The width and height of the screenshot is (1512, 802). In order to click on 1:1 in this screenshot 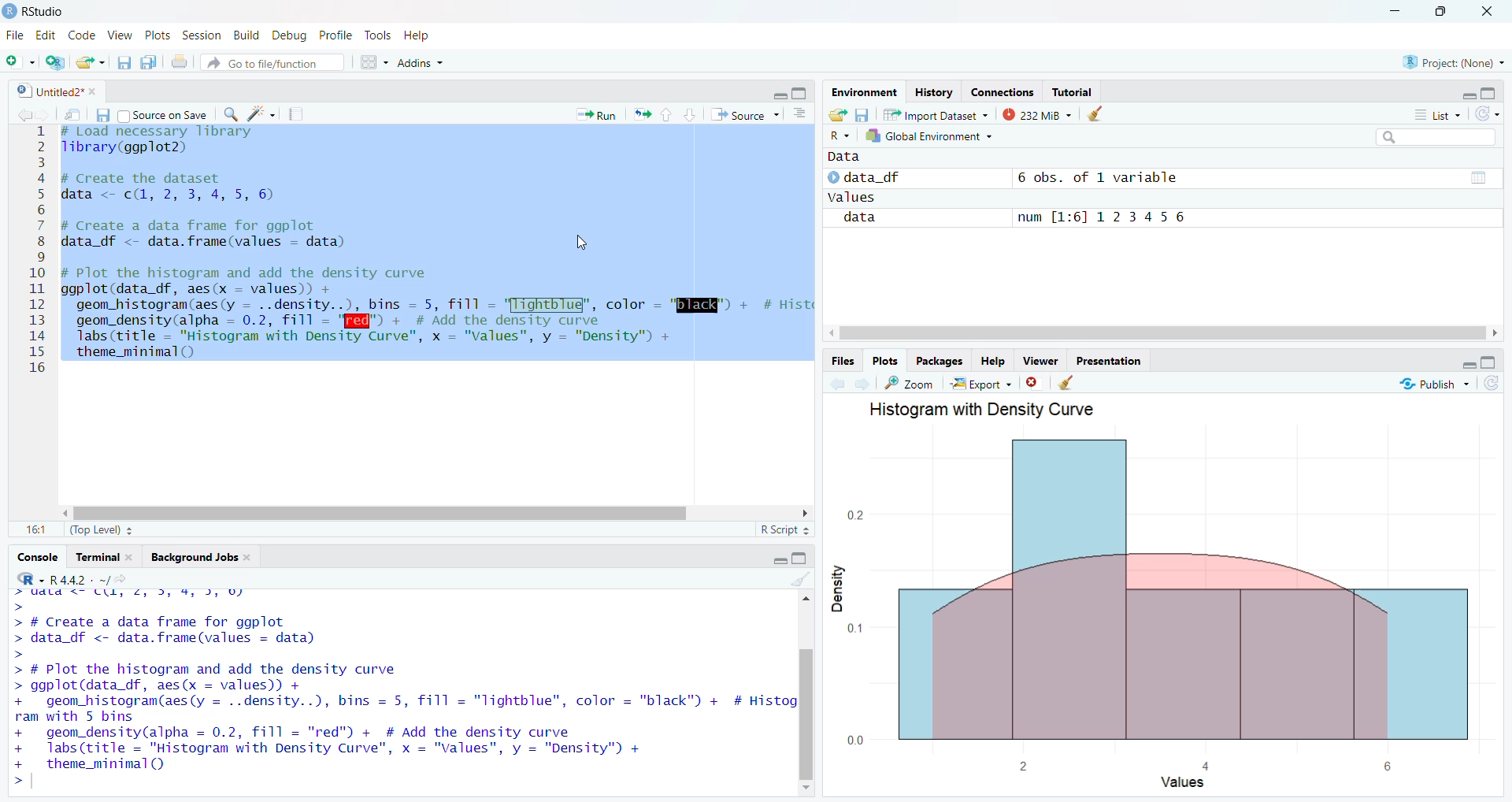, I will do `click(39, 529)`.